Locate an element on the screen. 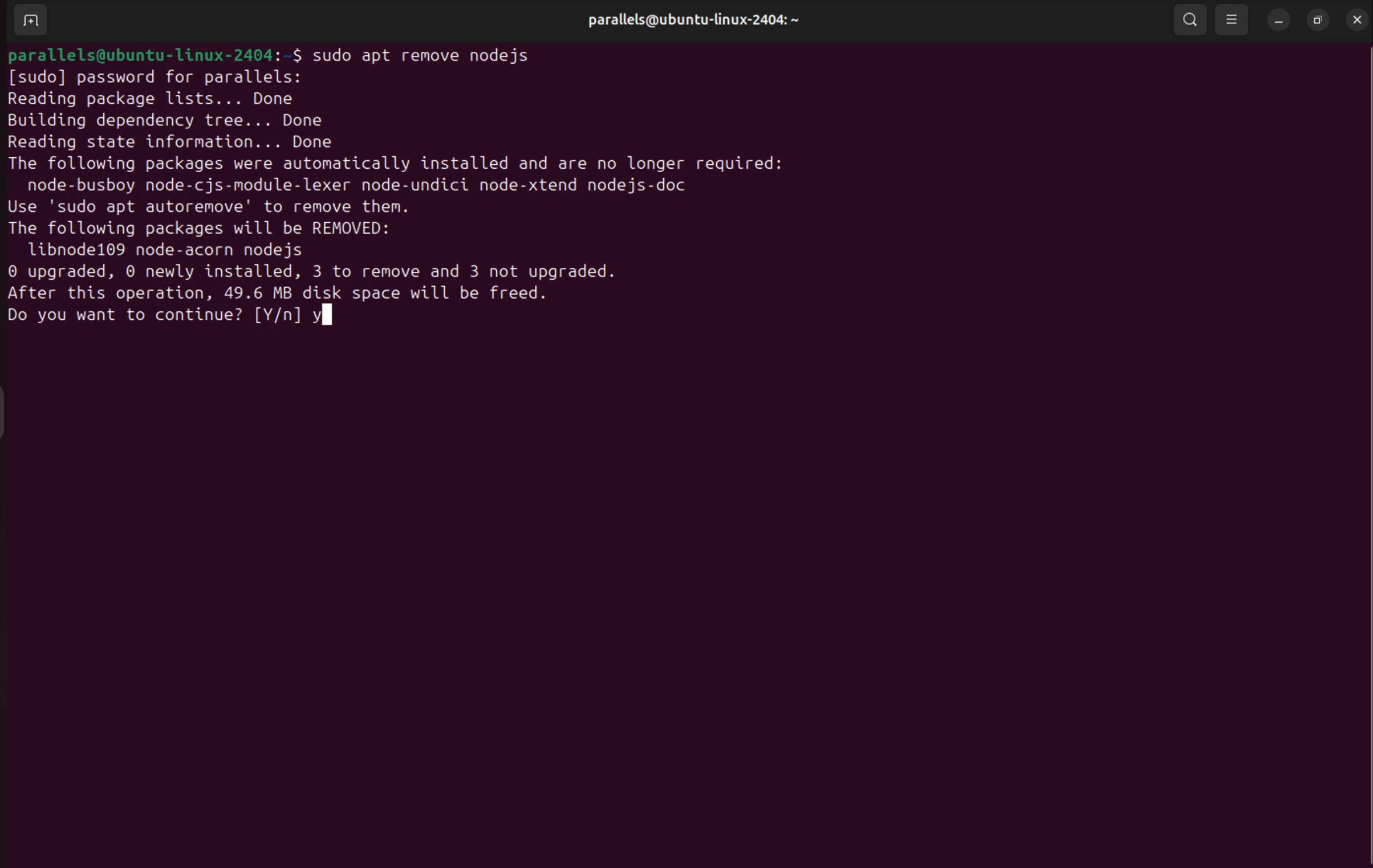 The height and width of the screenshot is (868, 1373). add terminal is located at coordinates (30, 19).